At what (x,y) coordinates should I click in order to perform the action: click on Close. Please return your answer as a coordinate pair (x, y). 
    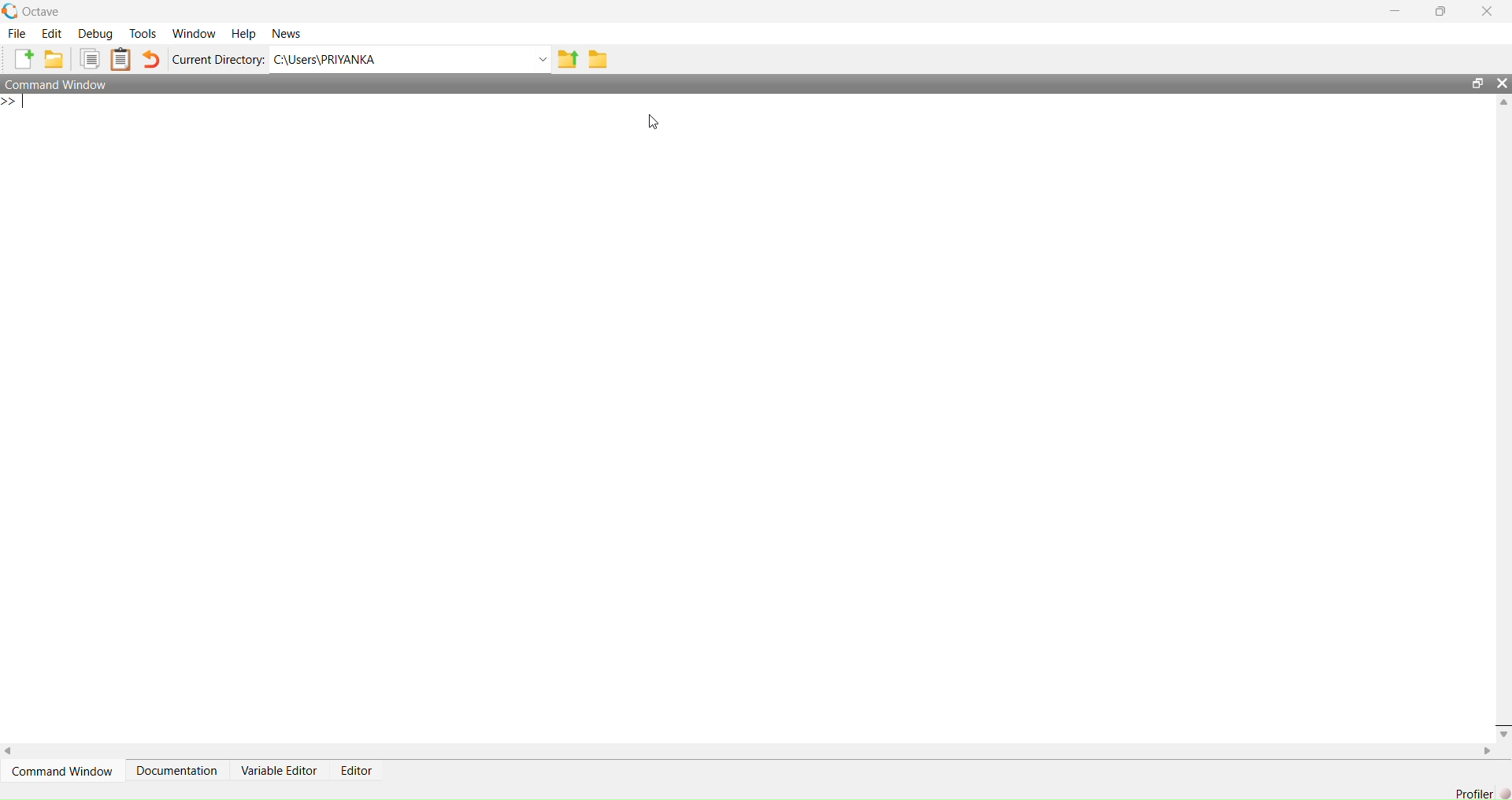
    Looking at the image, I should click on (1488, 12).